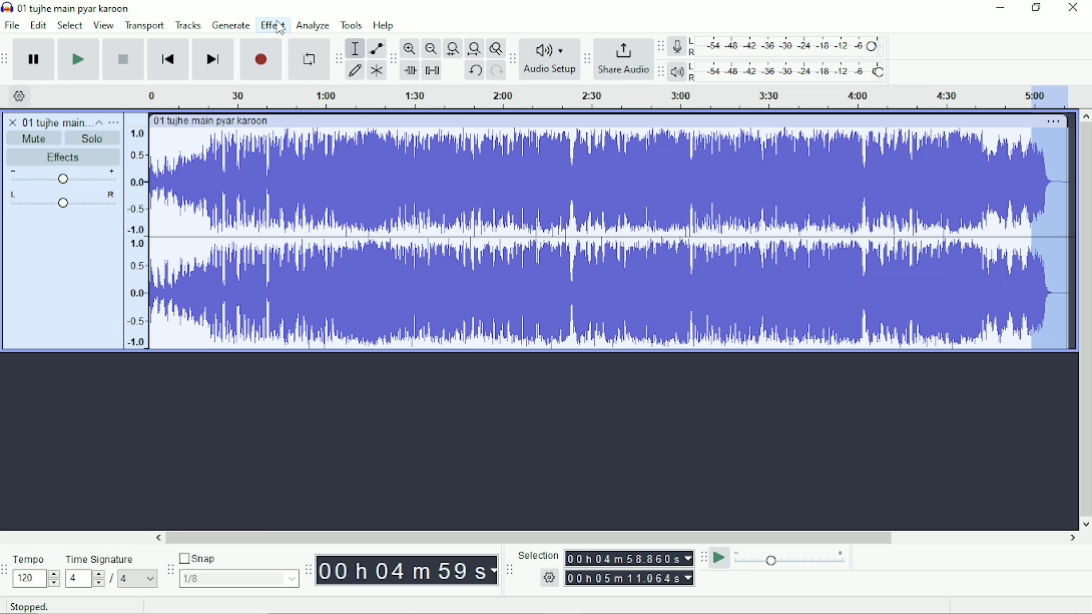  I want to click on Record, so click(262, 60).